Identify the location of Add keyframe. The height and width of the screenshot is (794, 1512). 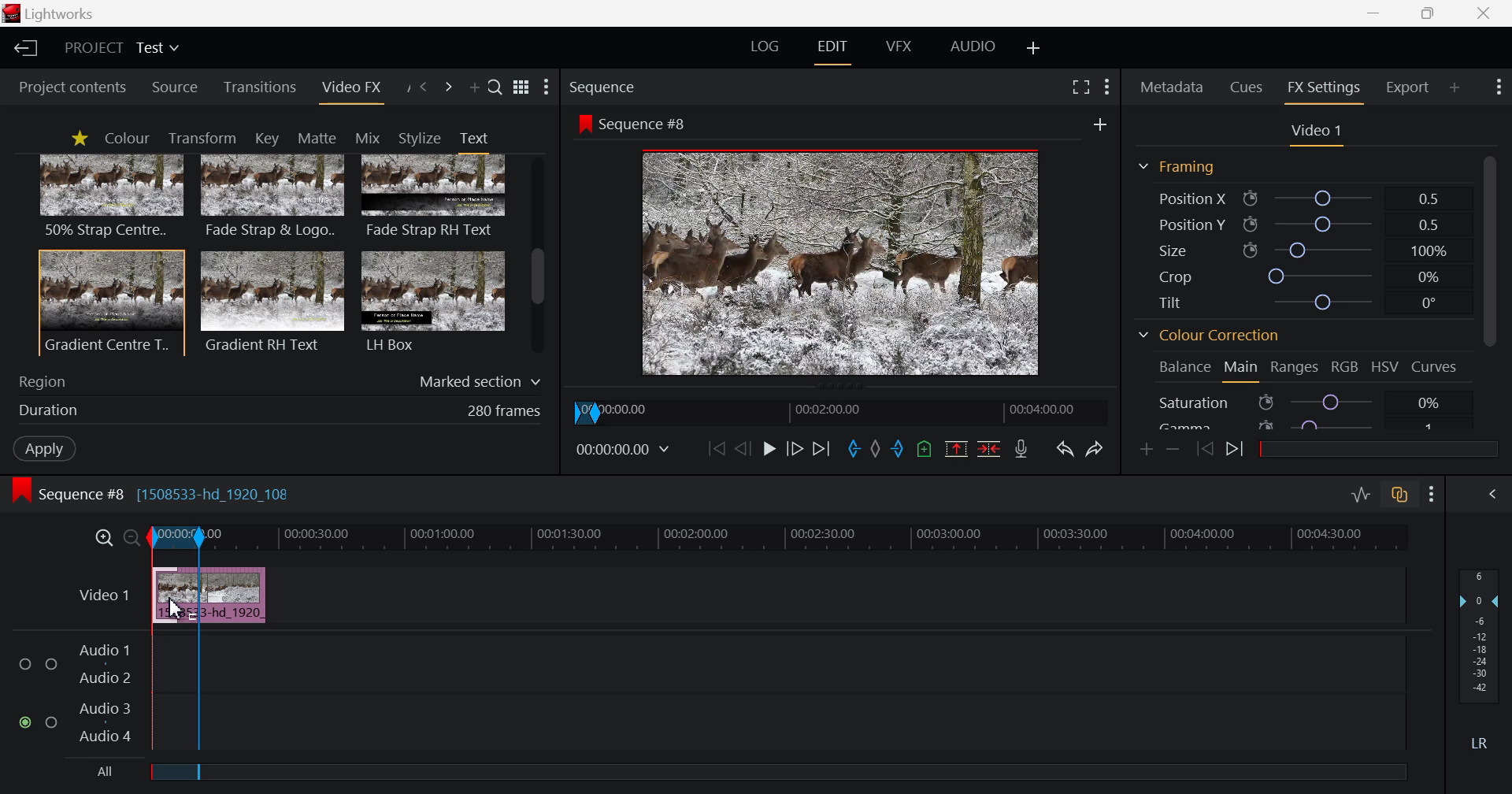
(1143, 448).